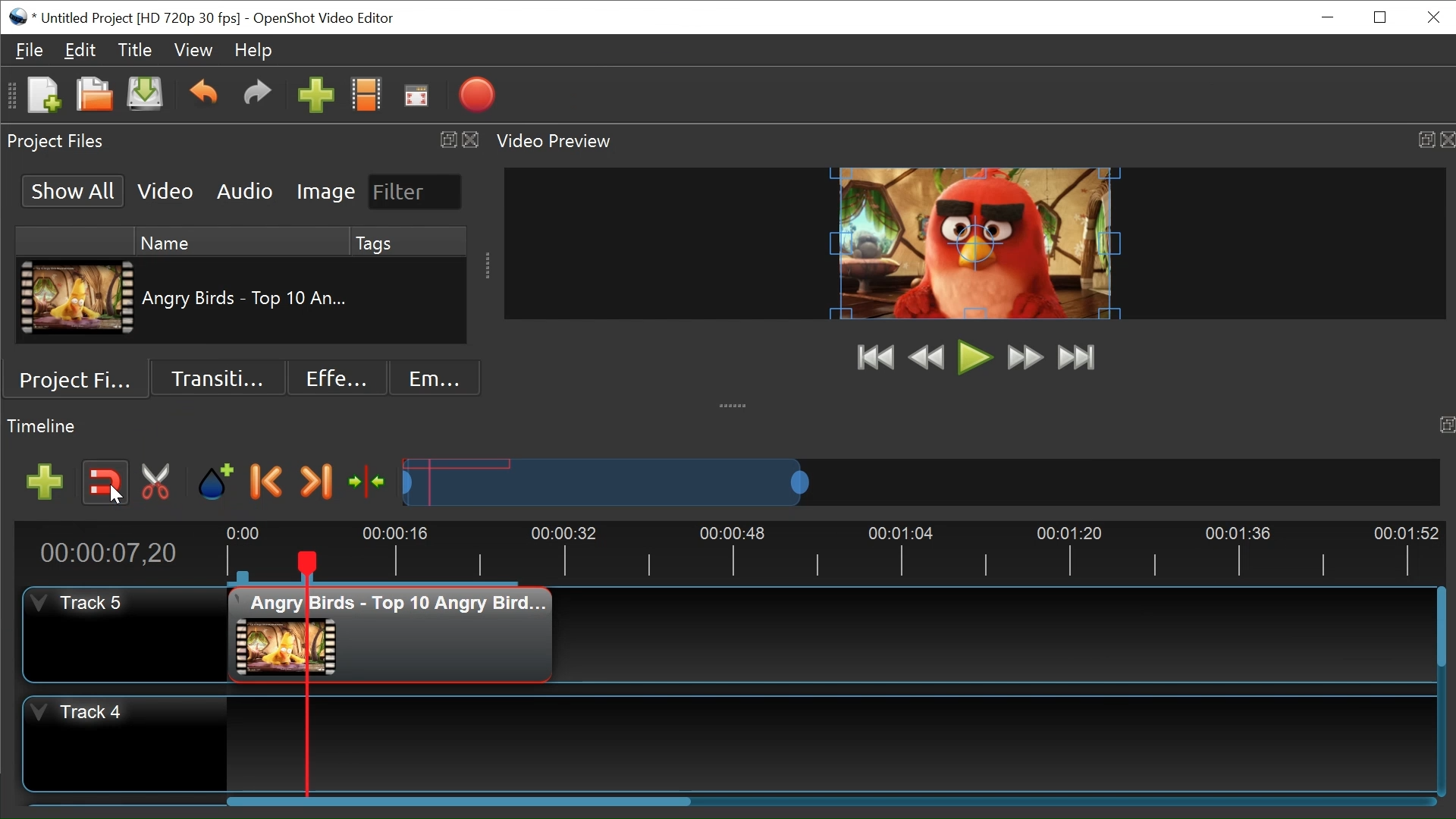 This screenshot has width=1456, height=819. I want to click on Fast Forward, so click(1027, 357).